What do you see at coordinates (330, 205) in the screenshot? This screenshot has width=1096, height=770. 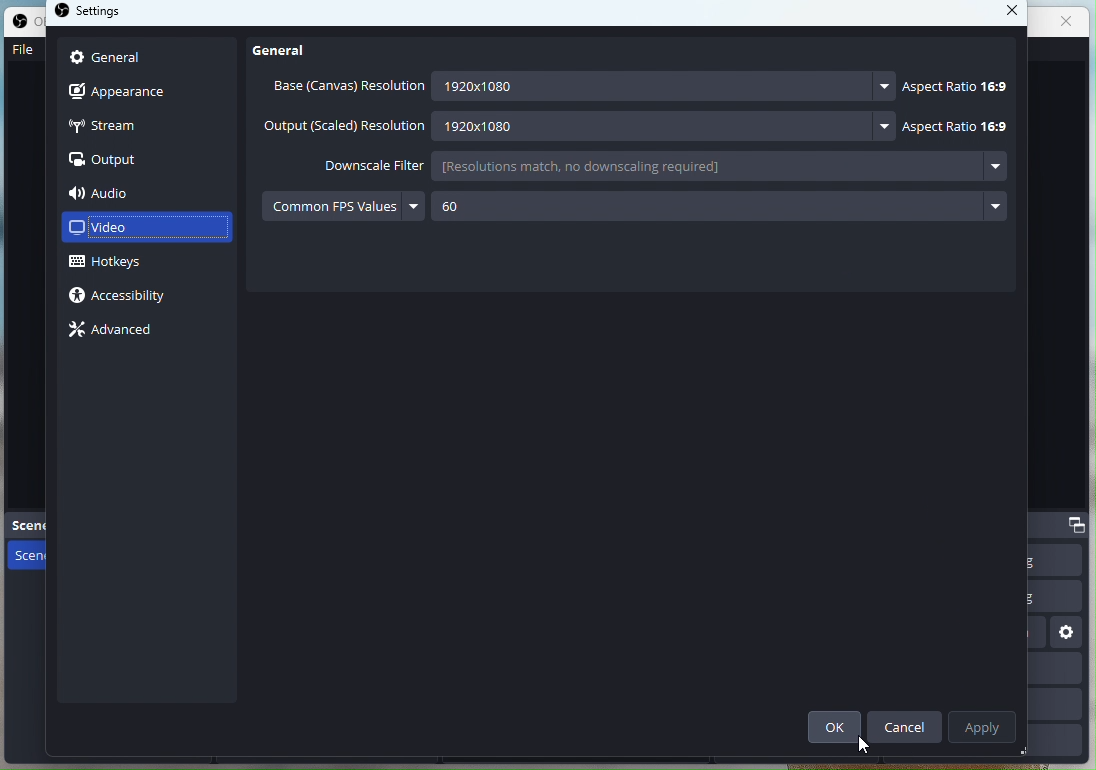 I see `Common FPS values` at bounding box center [330, 205].